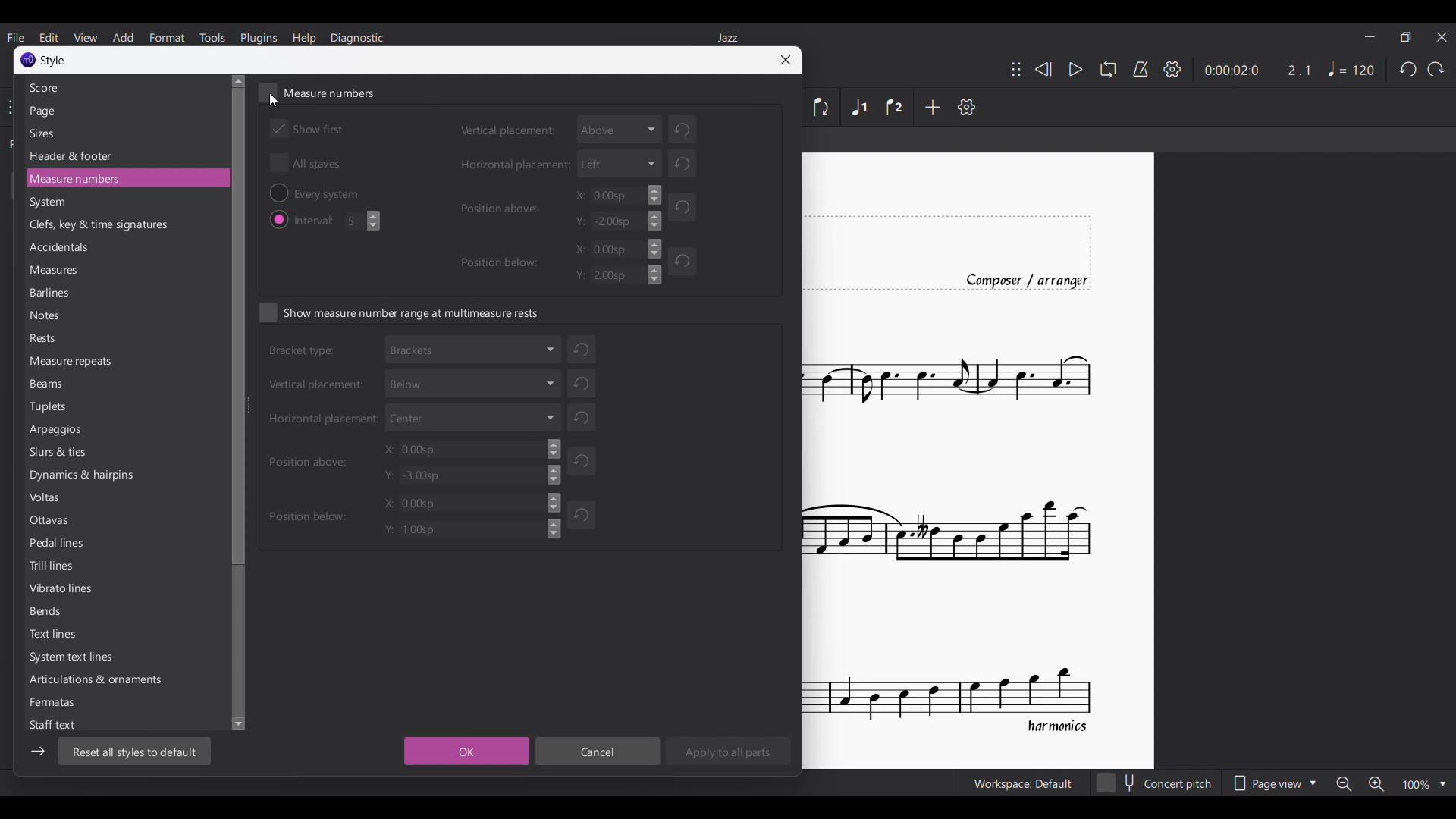 The image size is (1456, 819). I want to click on Triplets, so click(51, 407).